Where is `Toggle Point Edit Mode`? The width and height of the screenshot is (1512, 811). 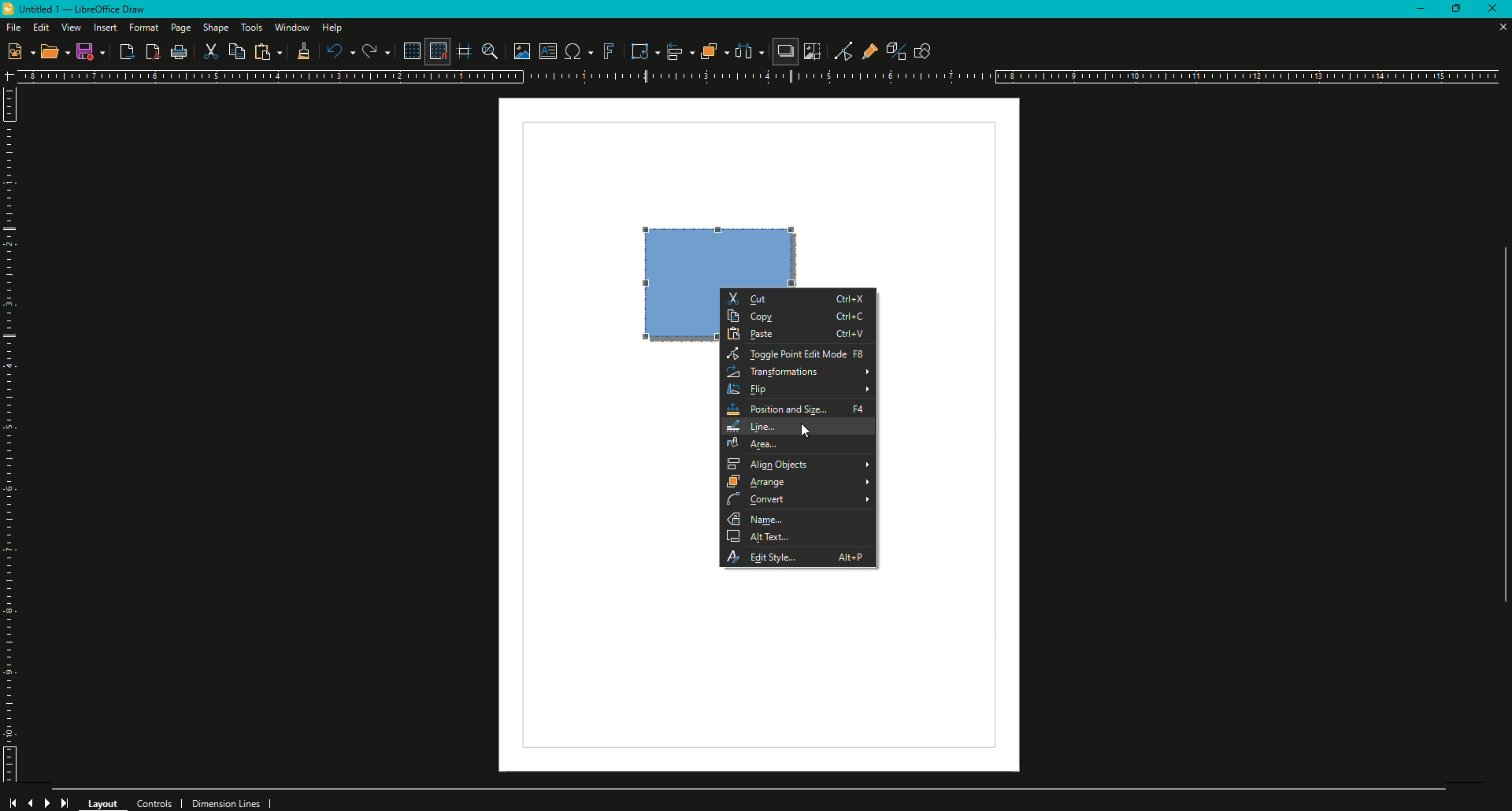 Toggle Point Edit Mode is located at coordinates (838, 50).